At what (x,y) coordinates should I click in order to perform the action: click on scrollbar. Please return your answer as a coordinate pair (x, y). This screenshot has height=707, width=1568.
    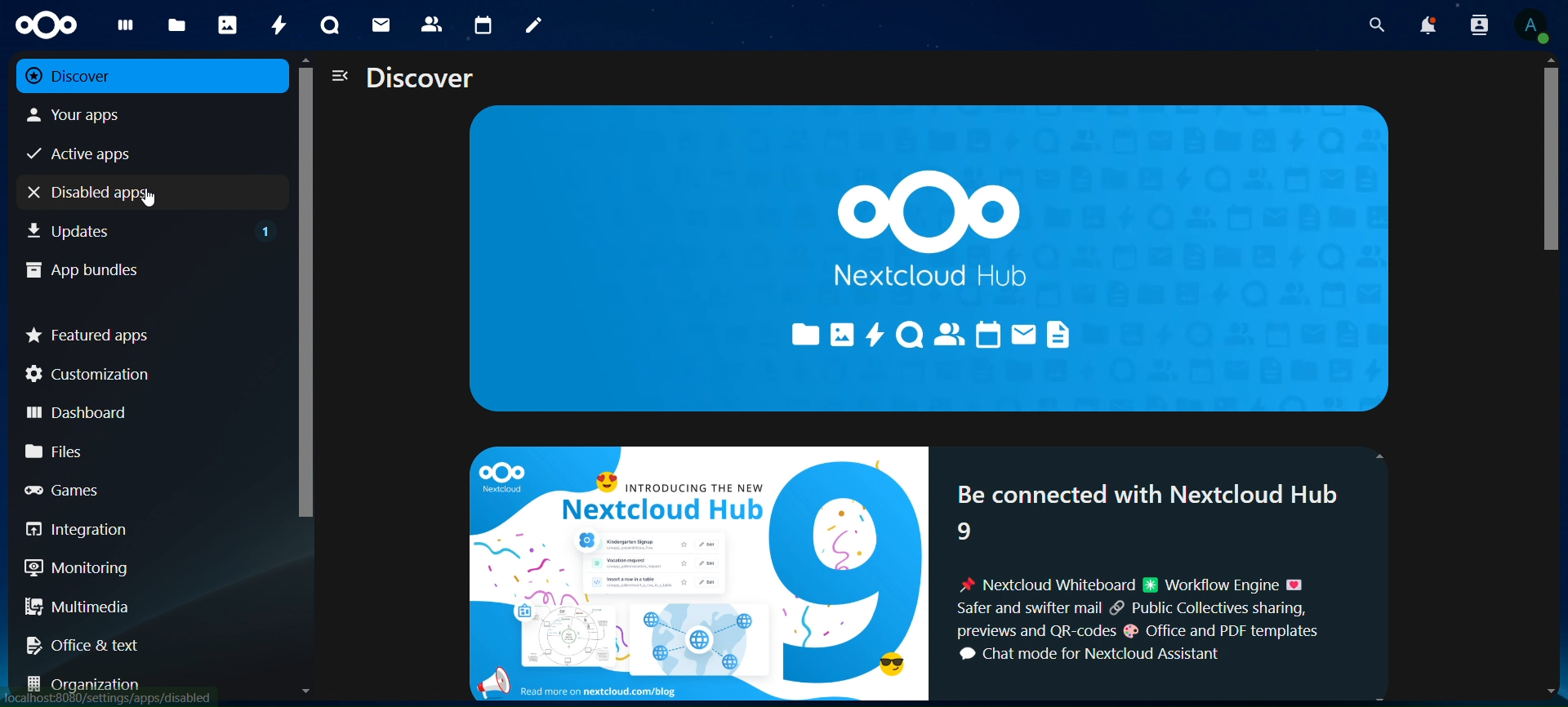
    Looking at the image, I should click on (302, 307).